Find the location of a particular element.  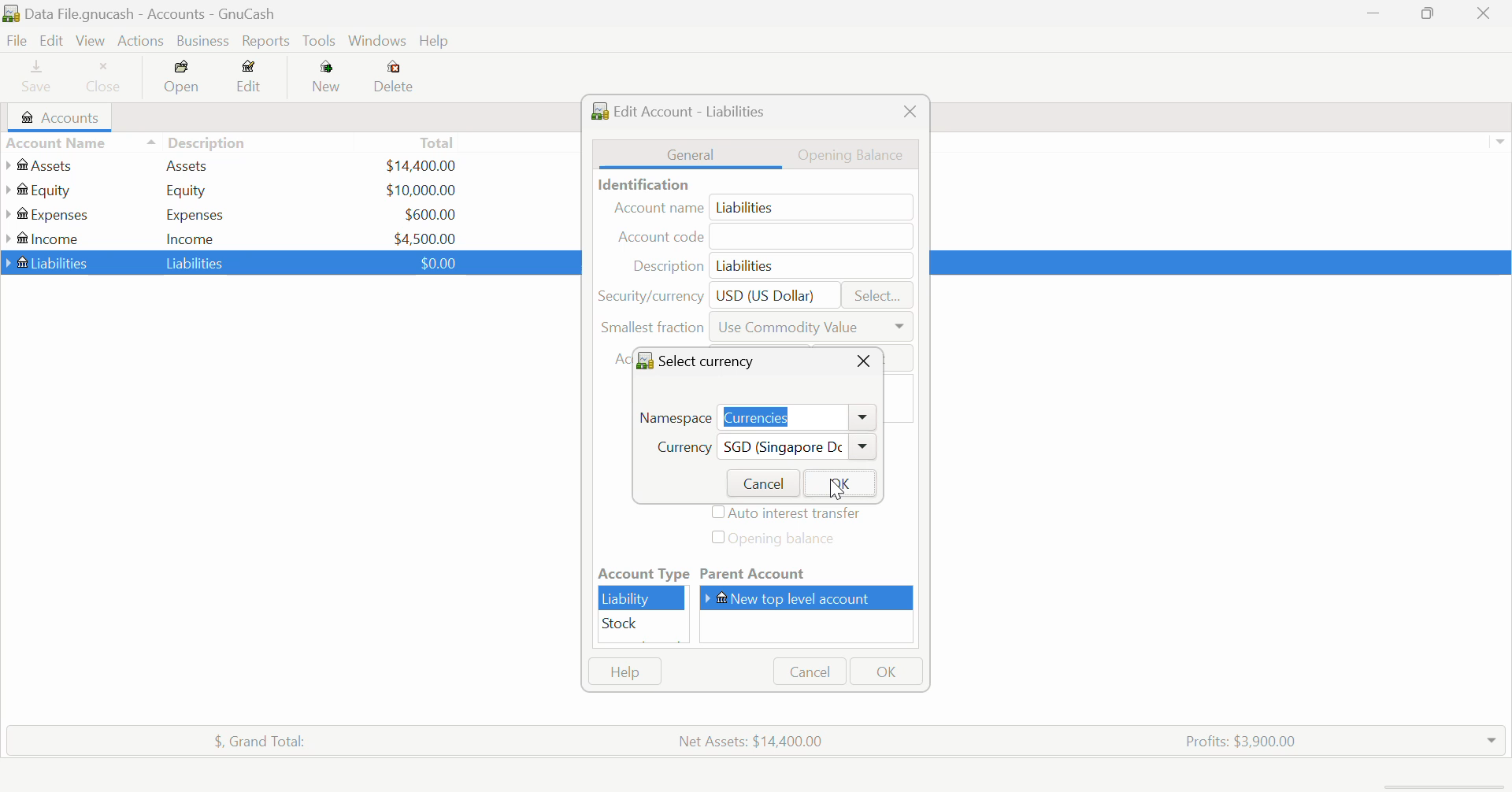

Edit is located at coordinates (50, 41).